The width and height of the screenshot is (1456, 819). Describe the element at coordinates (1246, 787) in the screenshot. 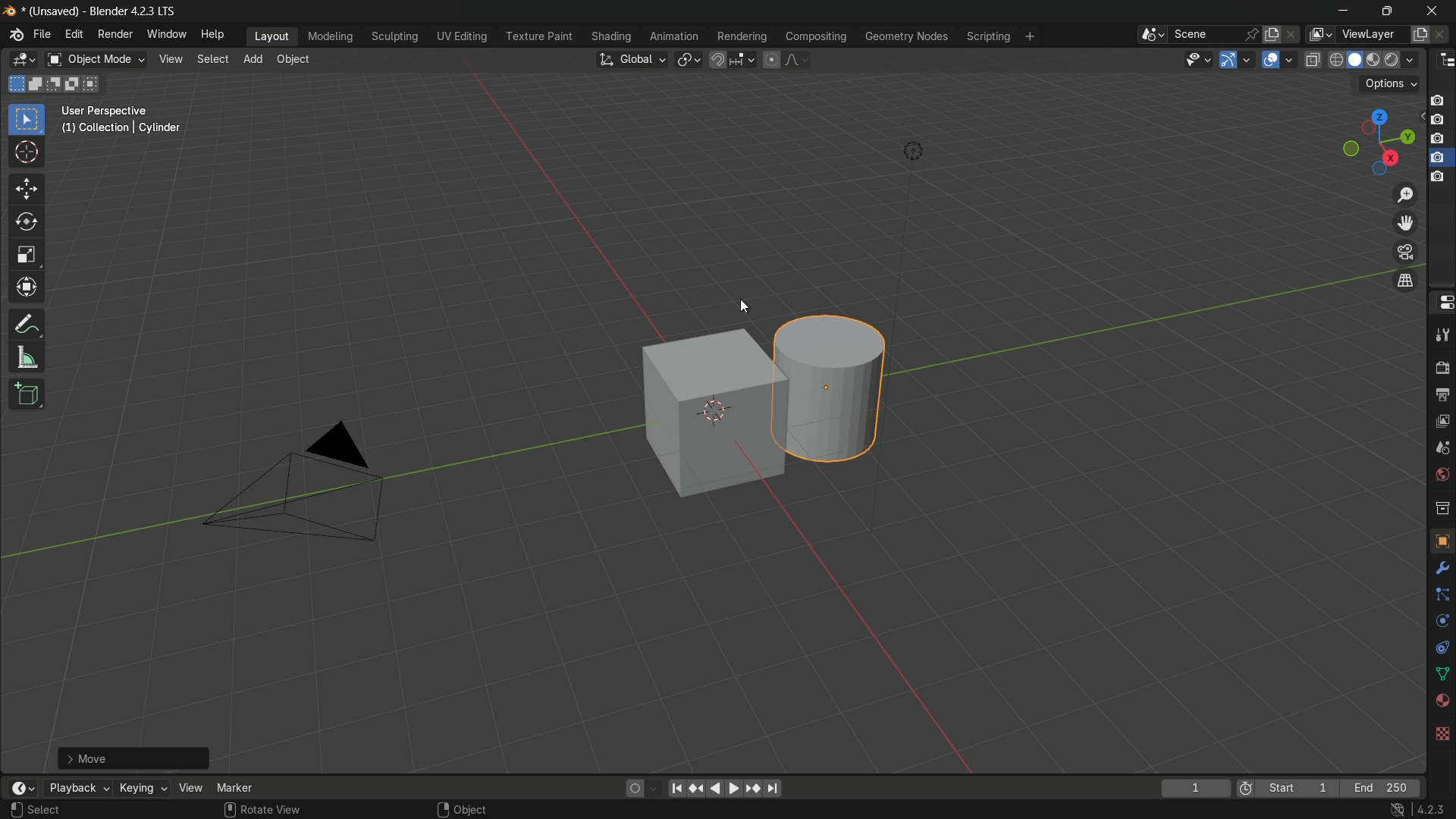

I see `preview range` at that location.